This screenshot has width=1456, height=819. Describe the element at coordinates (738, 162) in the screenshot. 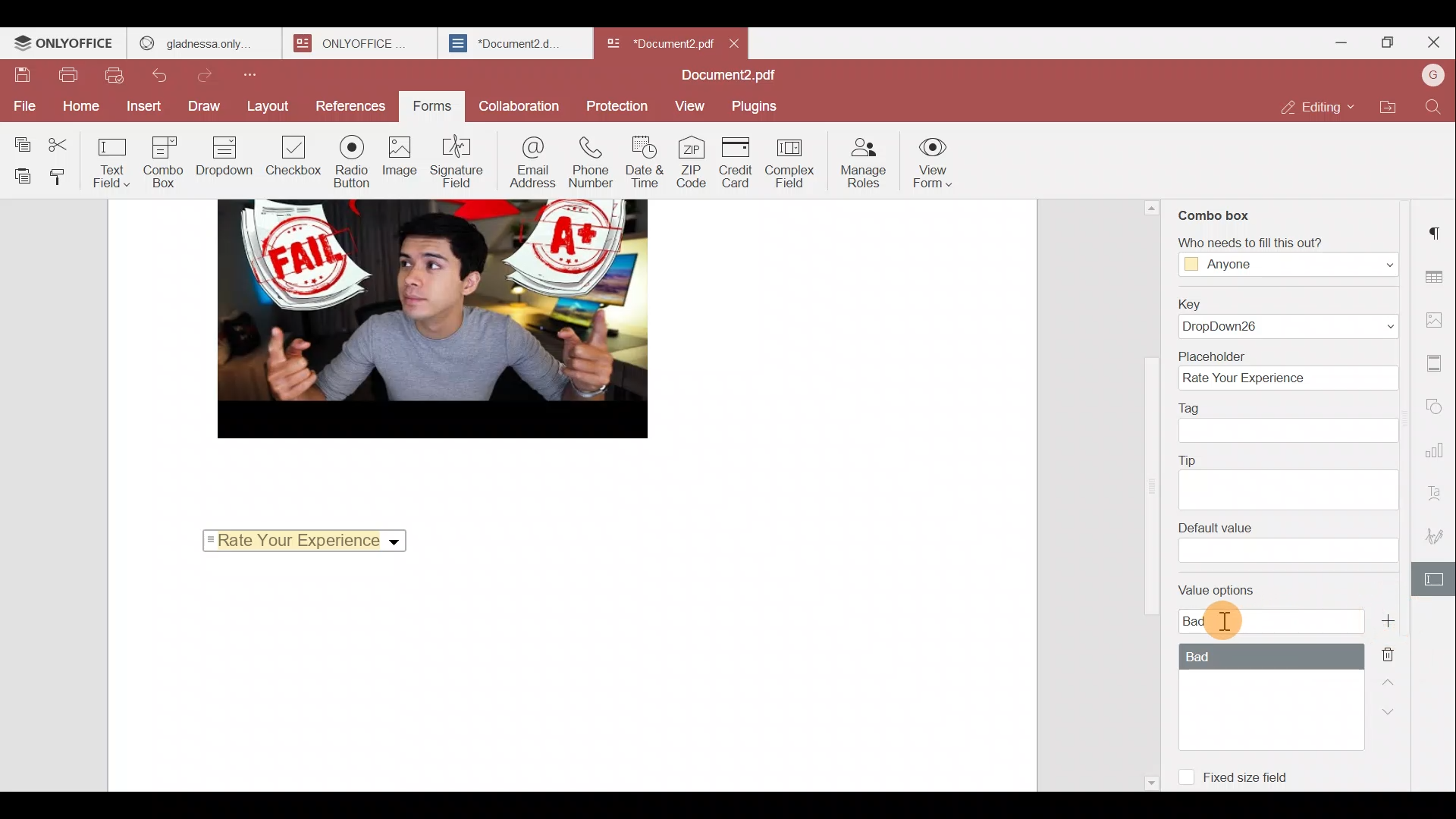

I see `Credit card` at that location.